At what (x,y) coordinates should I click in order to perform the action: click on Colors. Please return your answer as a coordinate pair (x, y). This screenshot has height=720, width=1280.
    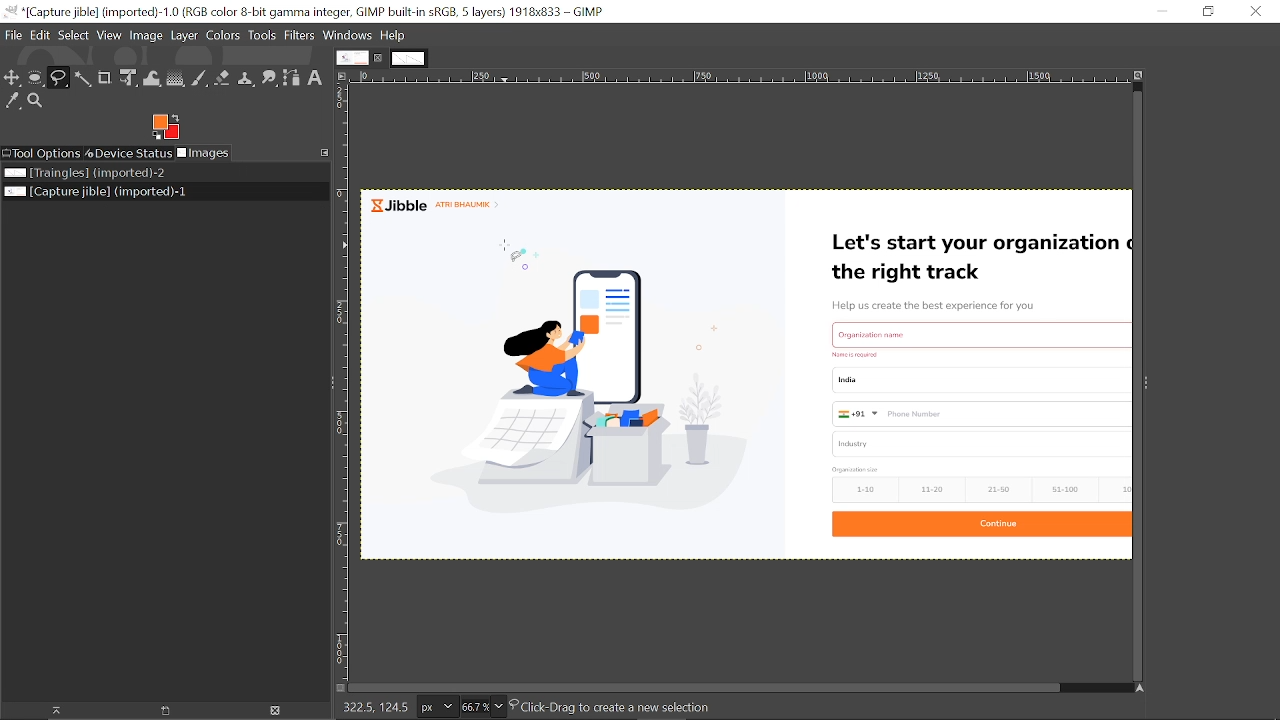
    Looking at the image, I should click on (223, 38).